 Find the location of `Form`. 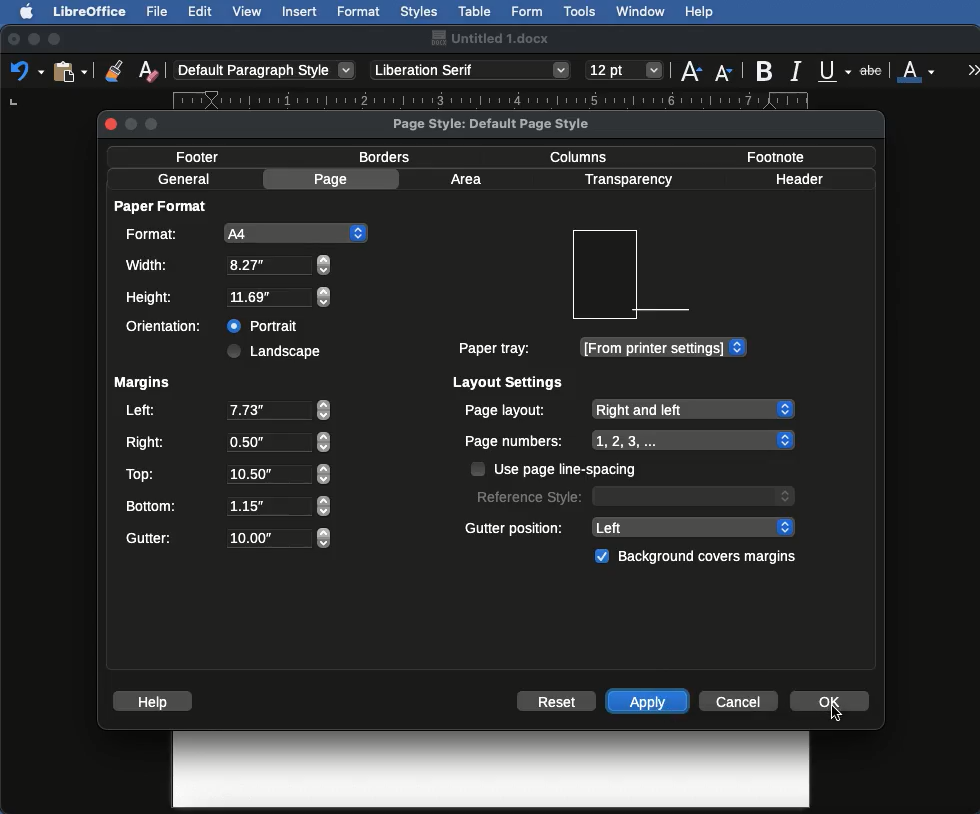

Form is located at coordinates (527, 12).